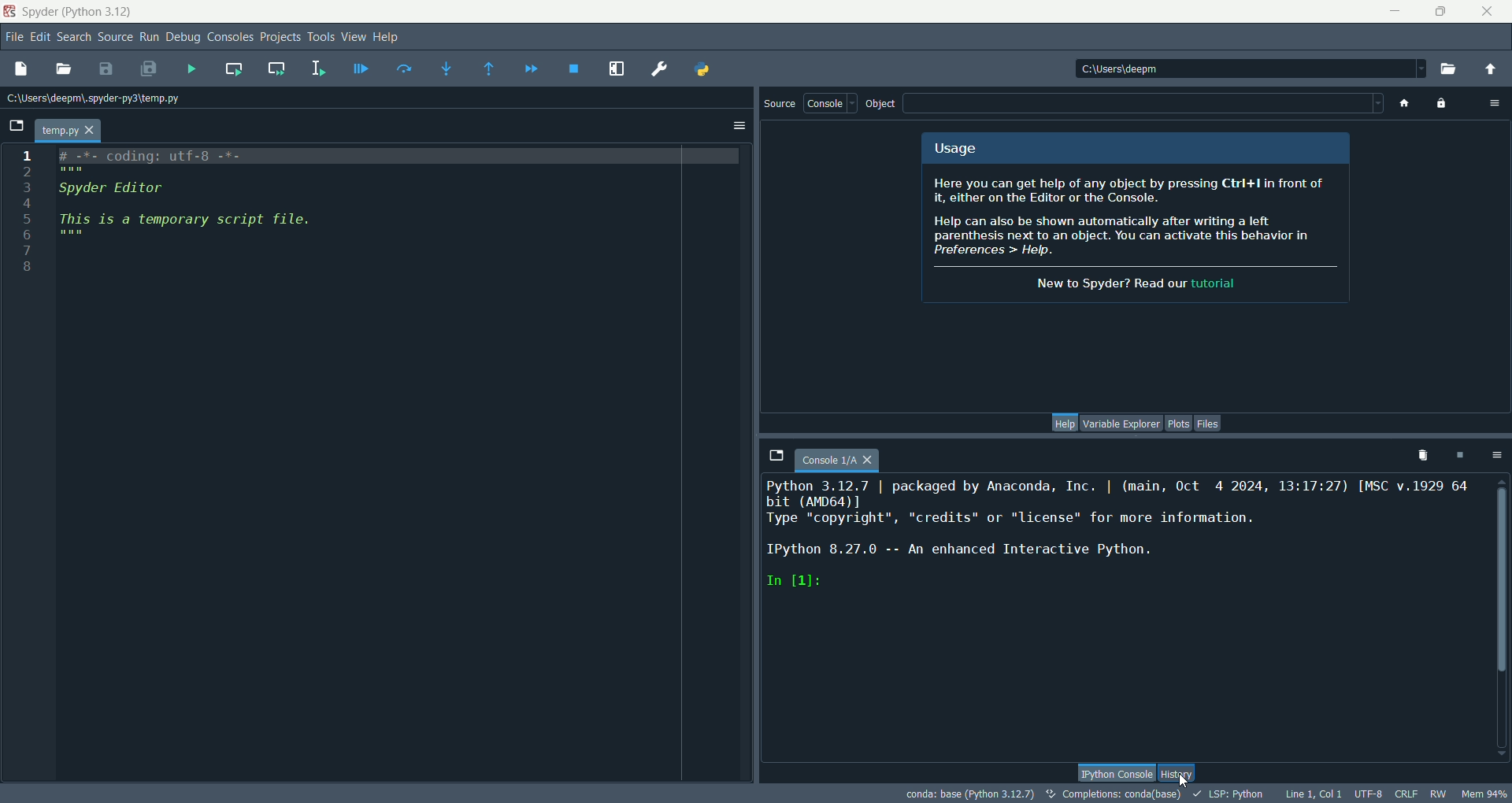 This screenshot has height=803, width=1512. Describe the element at coordinates (1246, 68) in the screenshot. I see `location` at that location.